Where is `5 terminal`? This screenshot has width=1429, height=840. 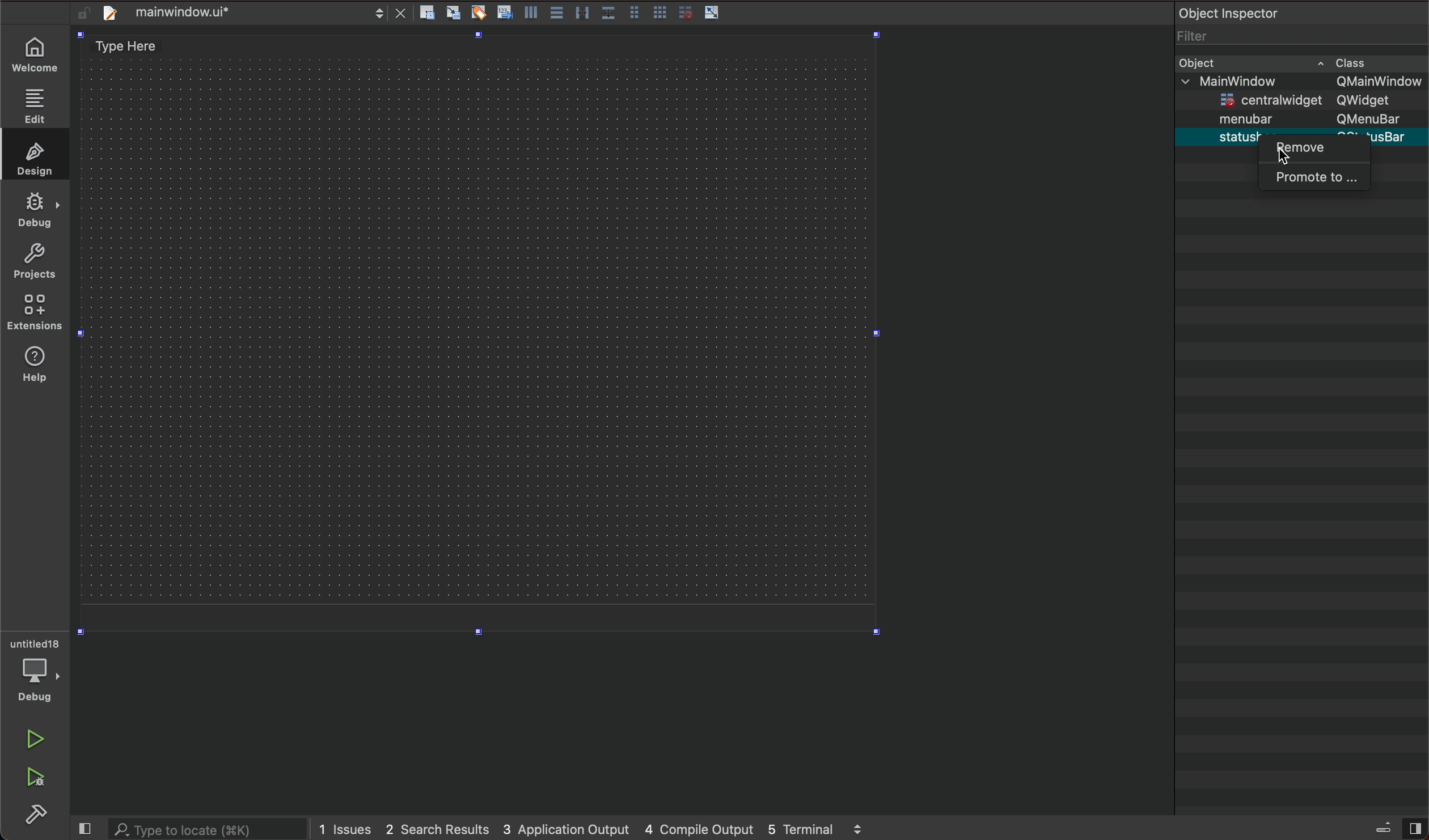 5 terminal is located at coordinates (814, 829).